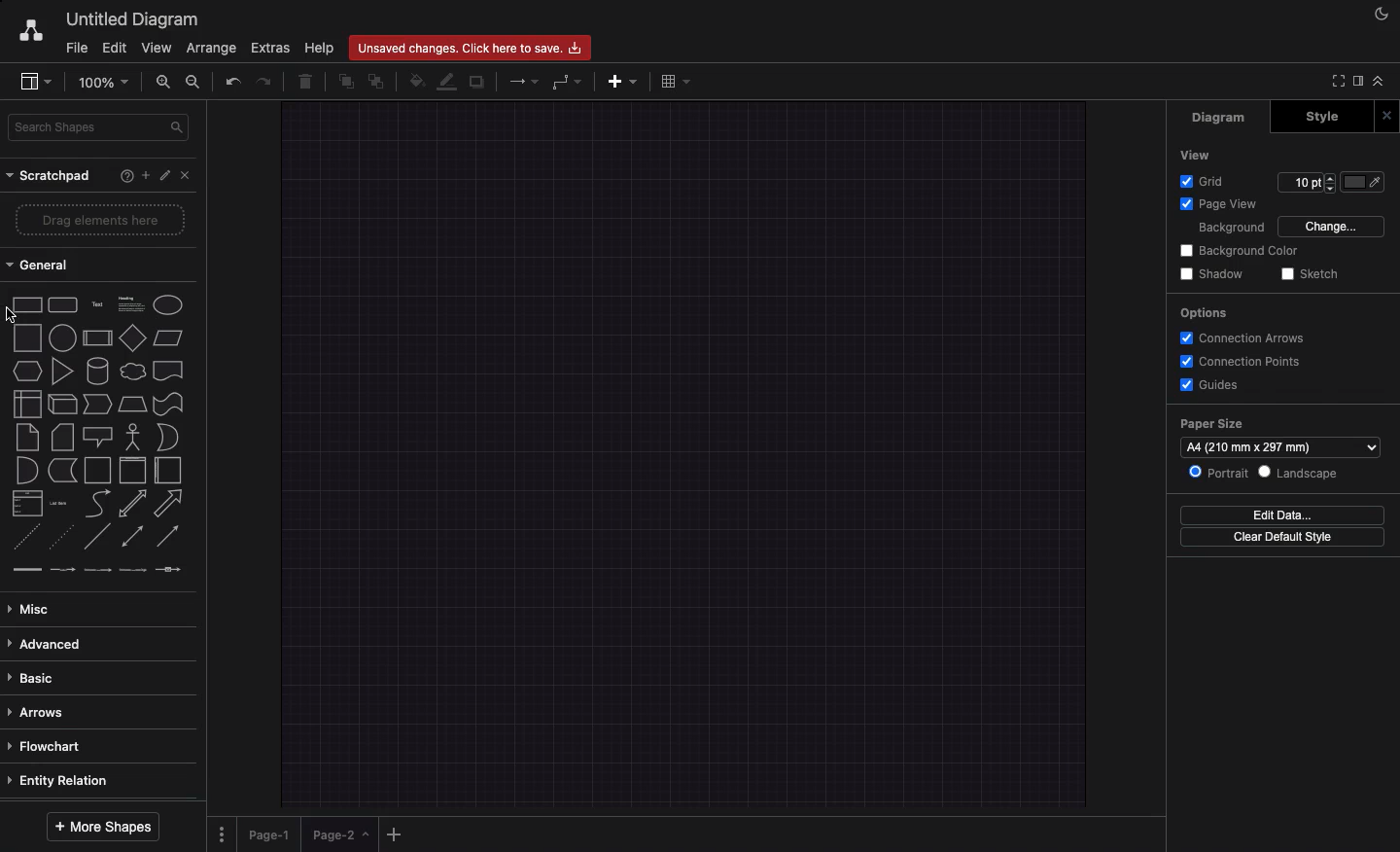 The width and height of the screenshot is (1400, 852). Describe the element at coordinates (395, 834) in the screenshot. I see `Add` at that location.